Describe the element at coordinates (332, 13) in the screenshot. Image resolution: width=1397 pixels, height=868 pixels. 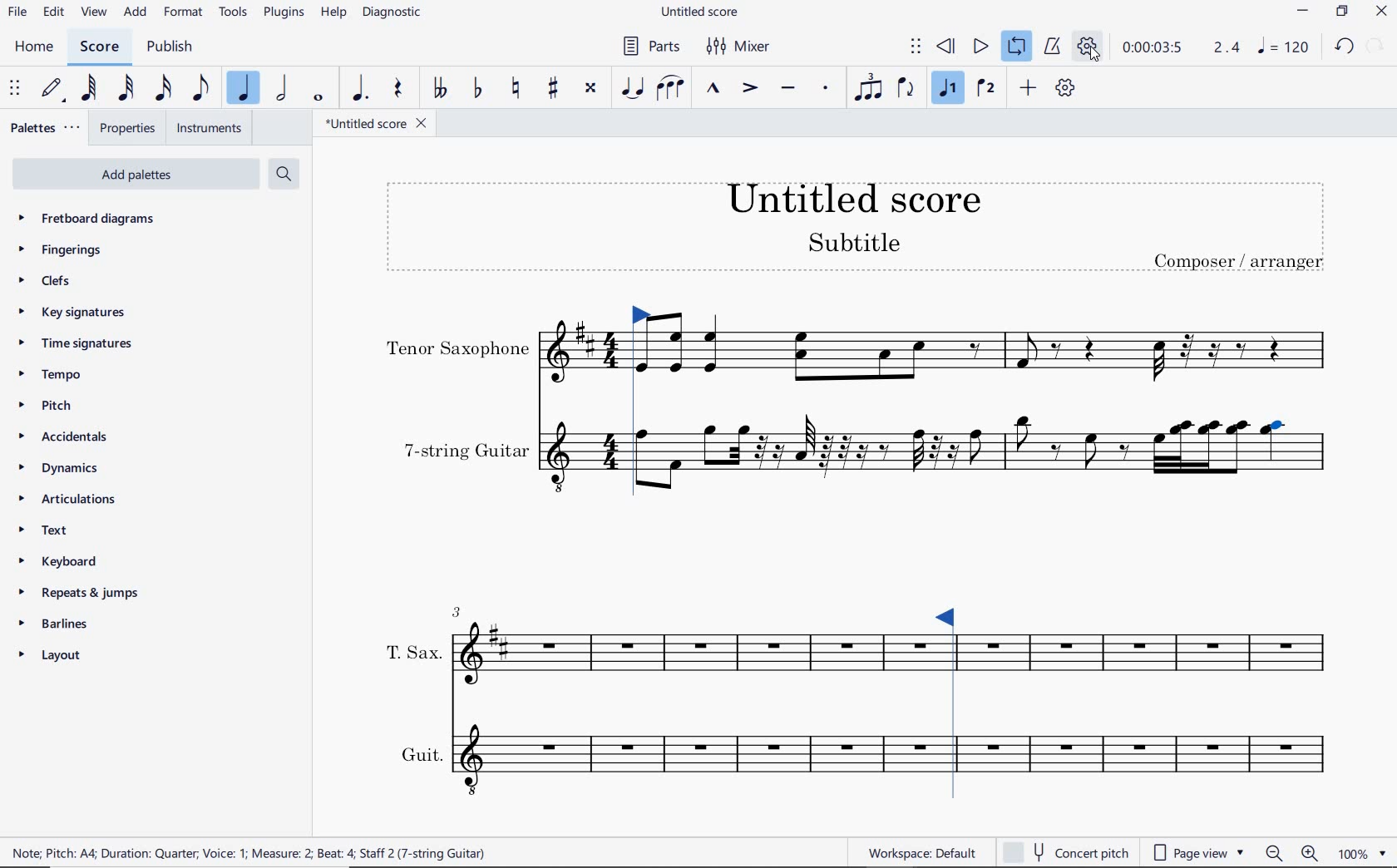
I see `HELP` at that location.